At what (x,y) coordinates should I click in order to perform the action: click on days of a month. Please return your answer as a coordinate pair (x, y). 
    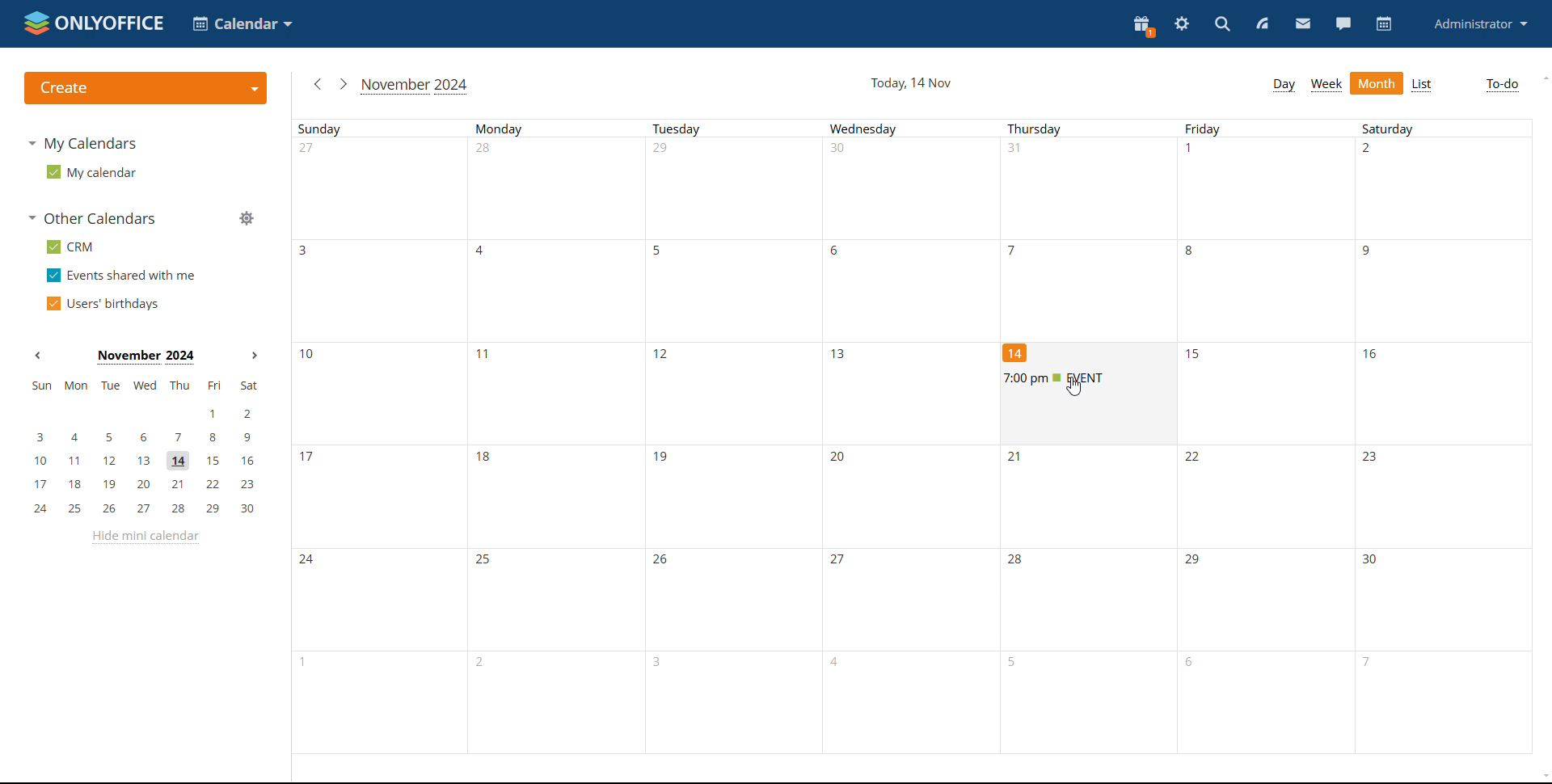
    Looking at the image, I should click on (1362, 391).